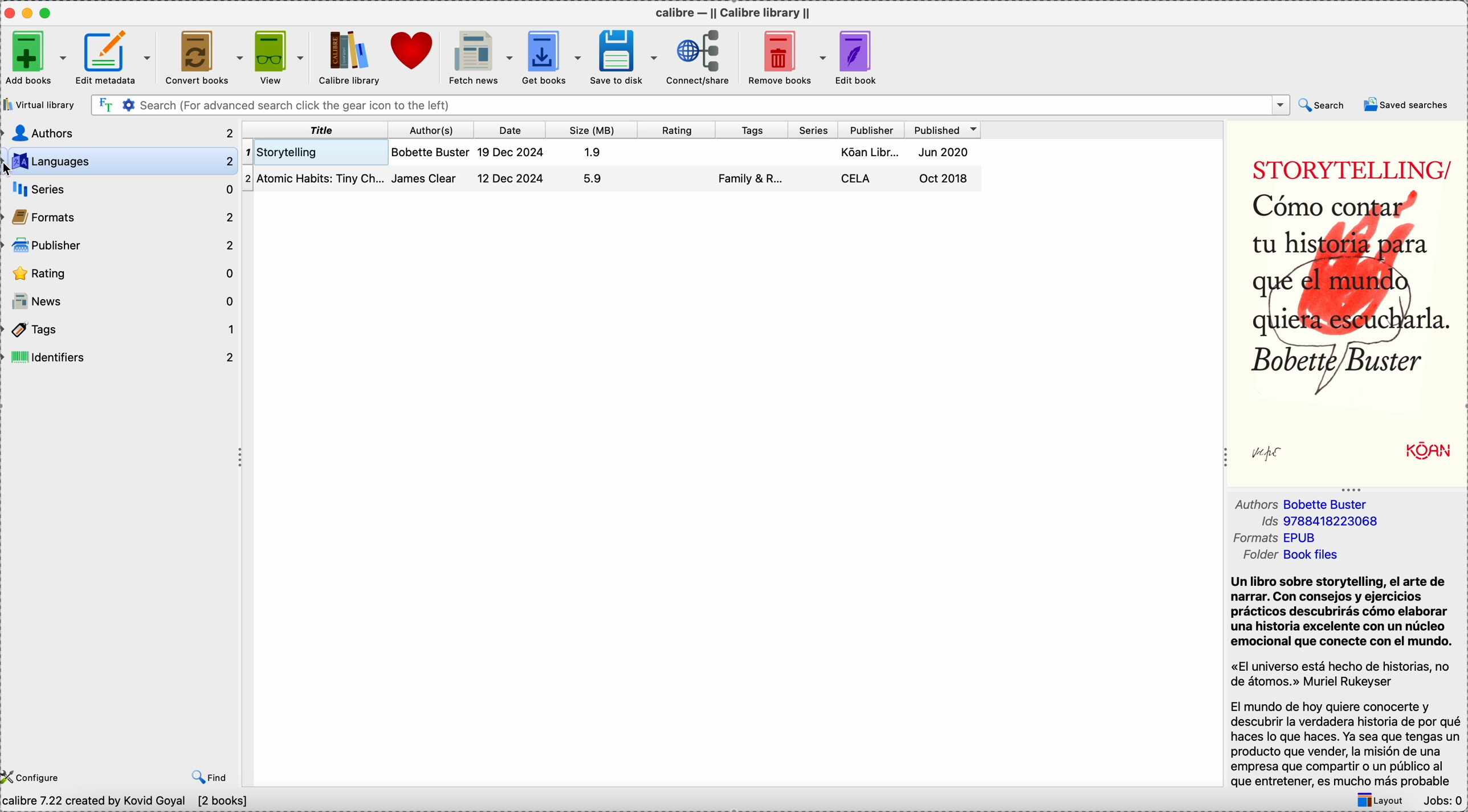 Image resolution: width=1468 pixels, height=812 pixels. Describe the element at coordinates (349, 58) in the screenshot. I see `Calibre library` at that location.